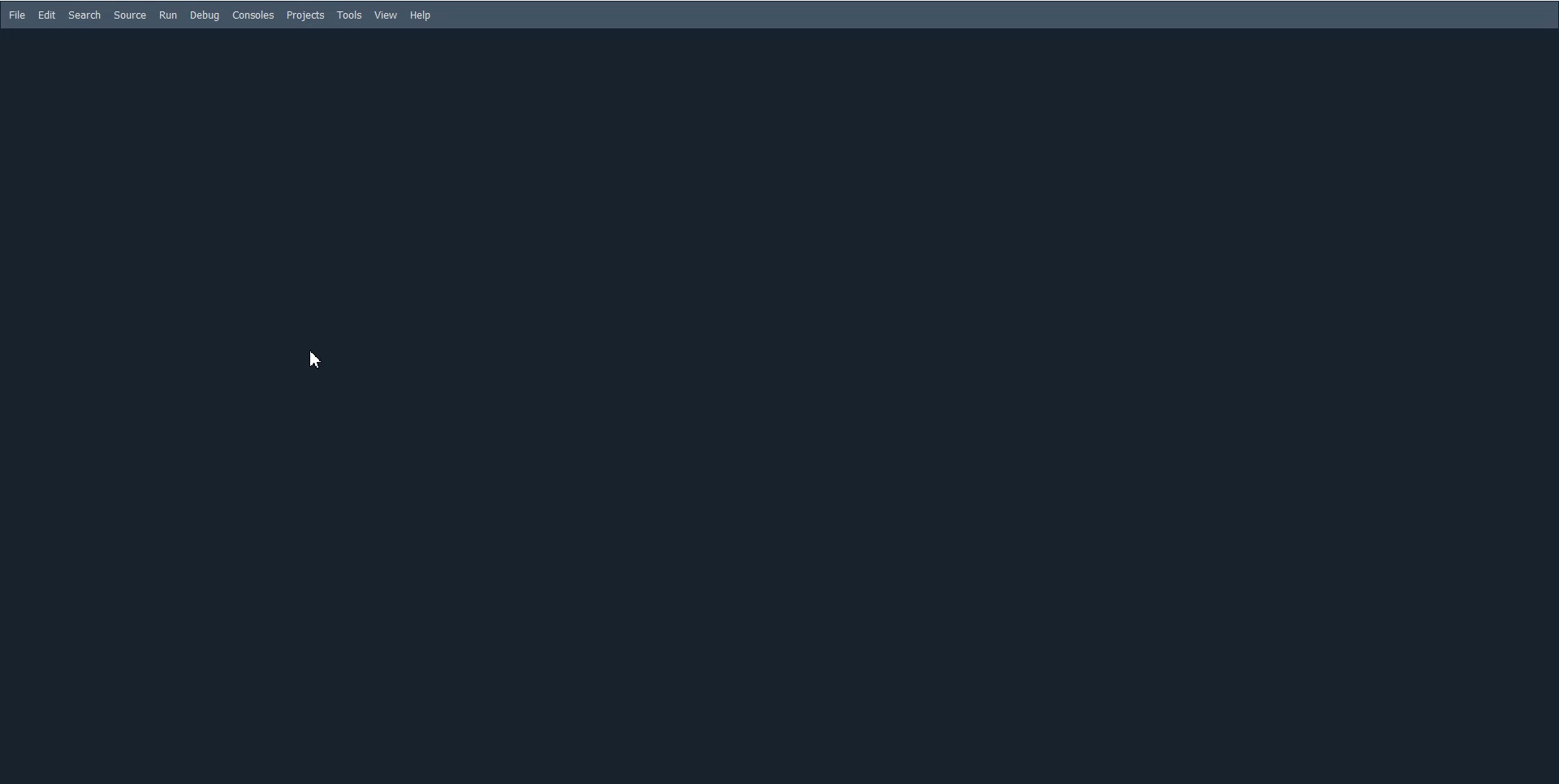  What do you see at coordinates (205, 15) in the screenshot?
I see `Debug` at bounding box center [205, 15].